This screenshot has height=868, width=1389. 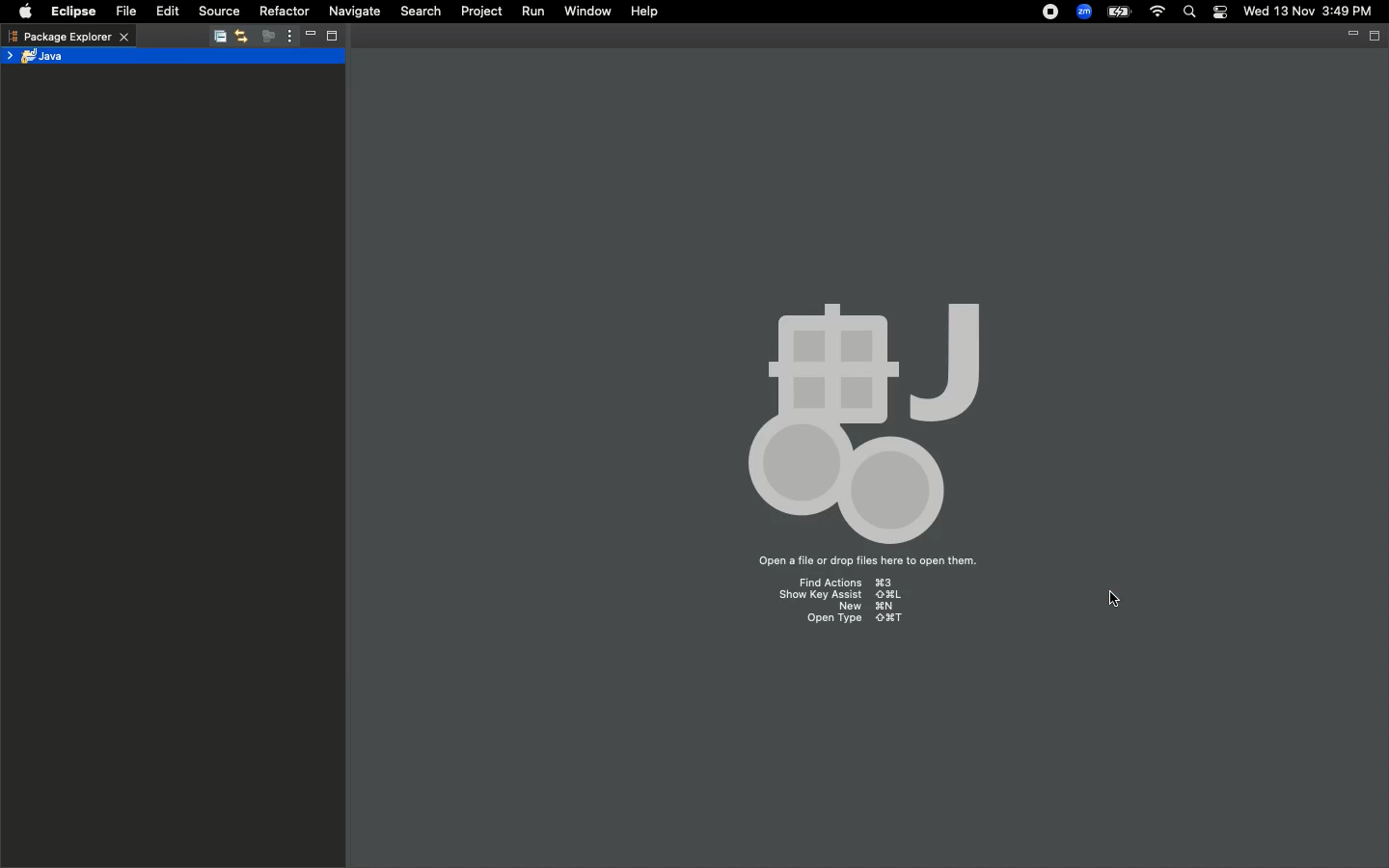 I want to click on Open a file or drop files here to open them., so click(x=867, y=563).